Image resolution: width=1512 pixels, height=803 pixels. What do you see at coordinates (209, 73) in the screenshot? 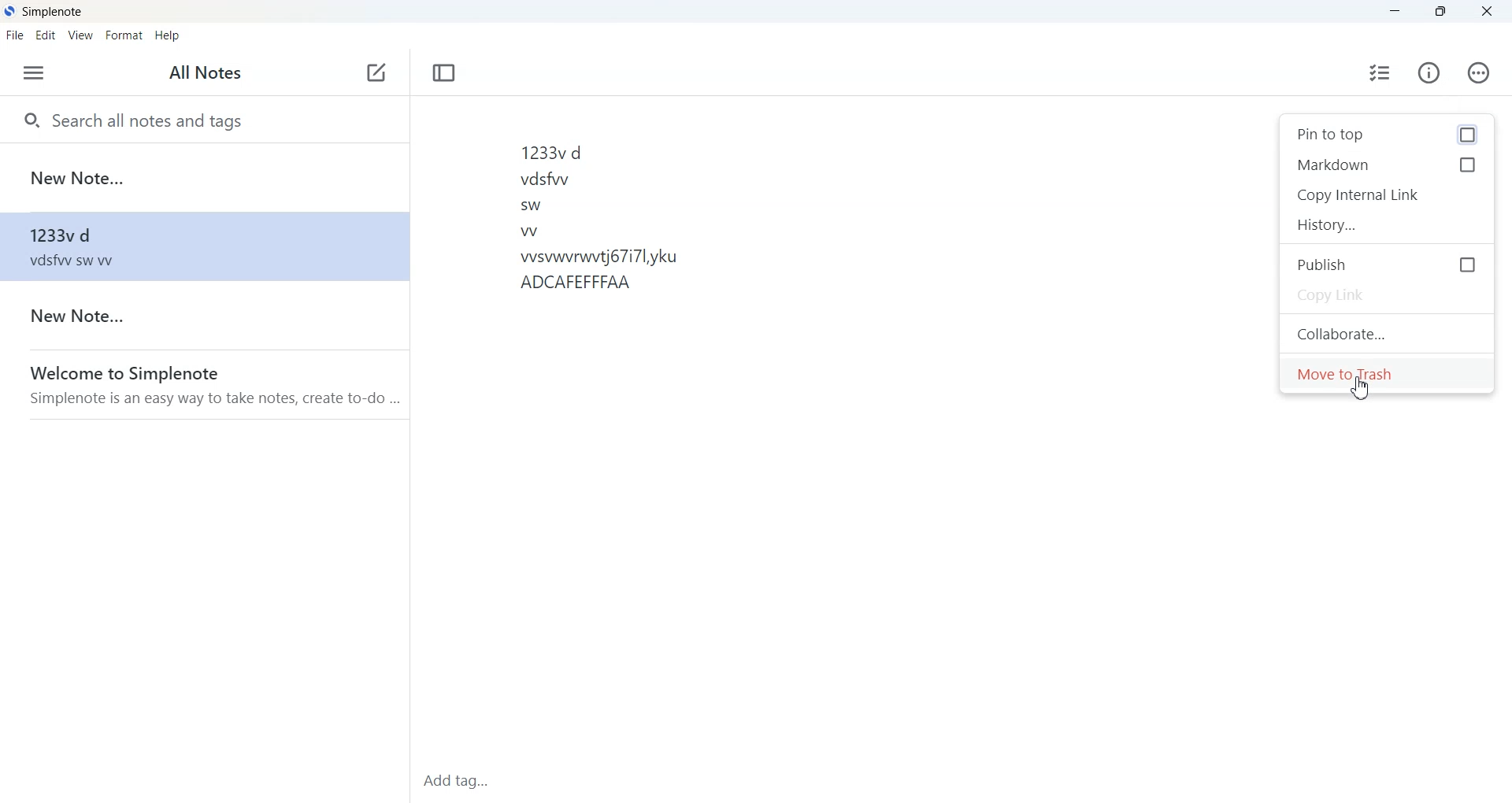
I see `All Notes` at bounding box center [209, 73].